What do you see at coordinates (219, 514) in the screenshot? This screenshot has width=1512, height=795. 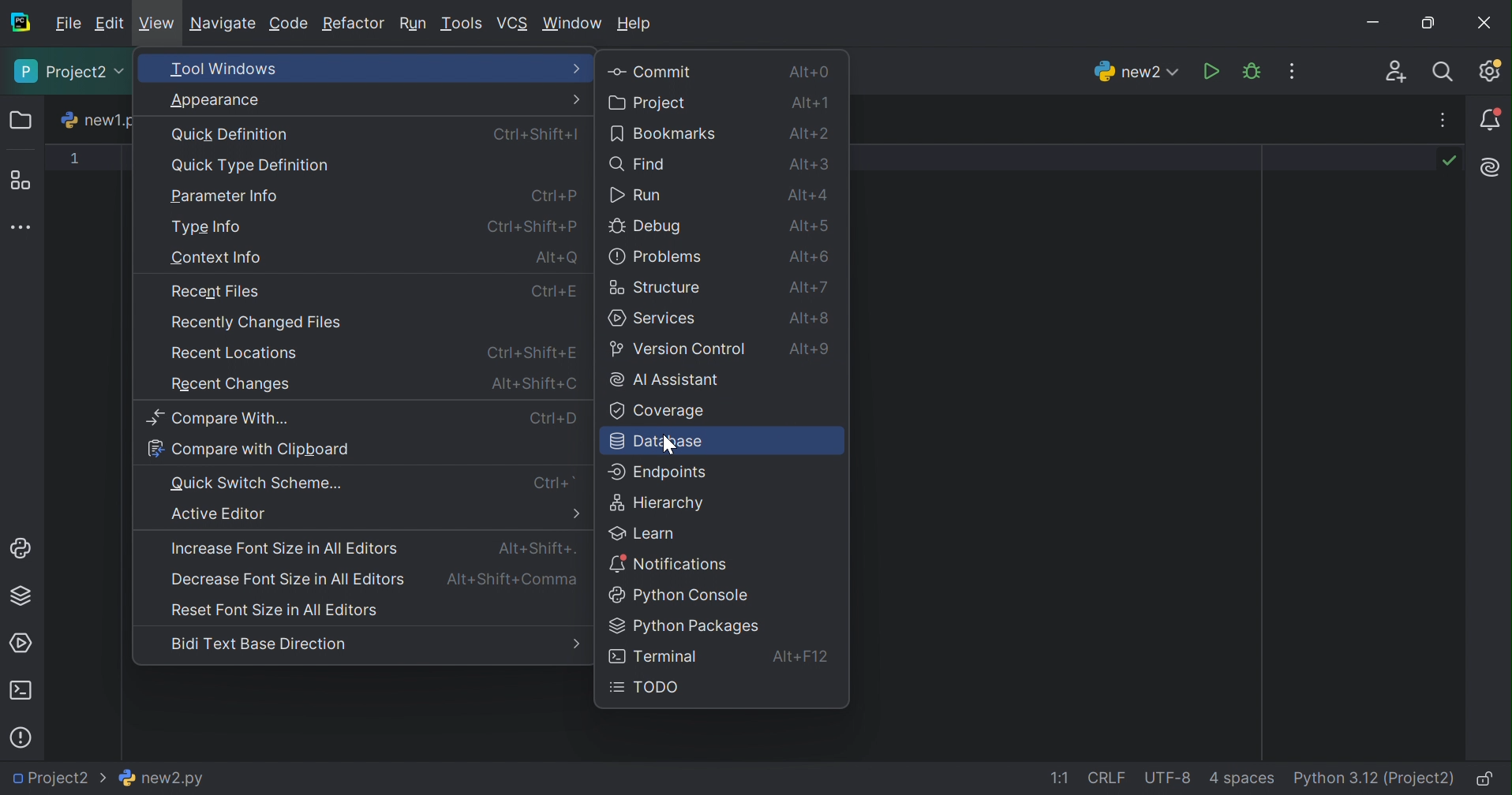 I see `Active Editor` at bounding box center [219, 514].